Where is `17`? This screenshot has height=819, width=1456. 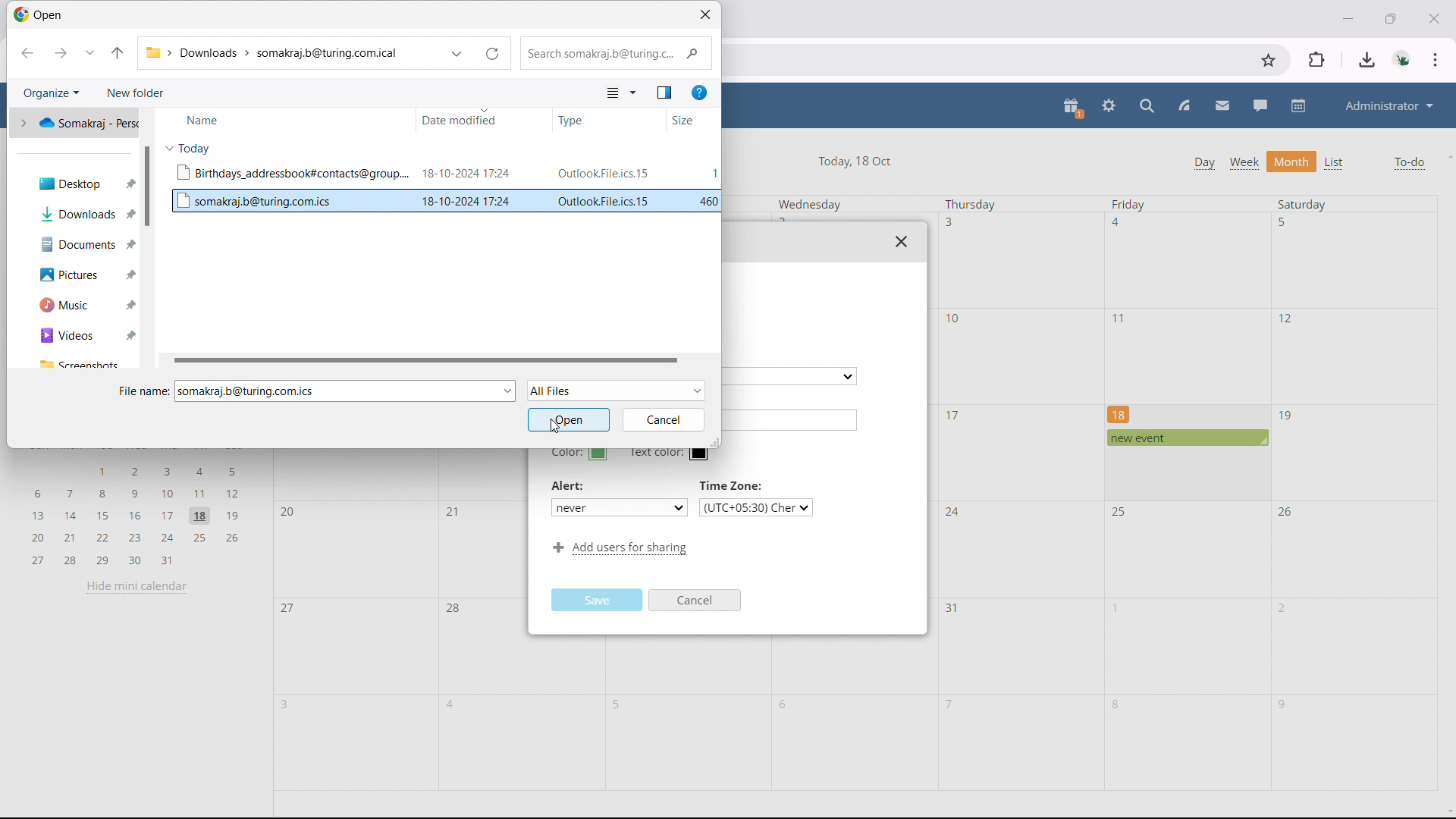
17 is located at coordinates (953, 415).